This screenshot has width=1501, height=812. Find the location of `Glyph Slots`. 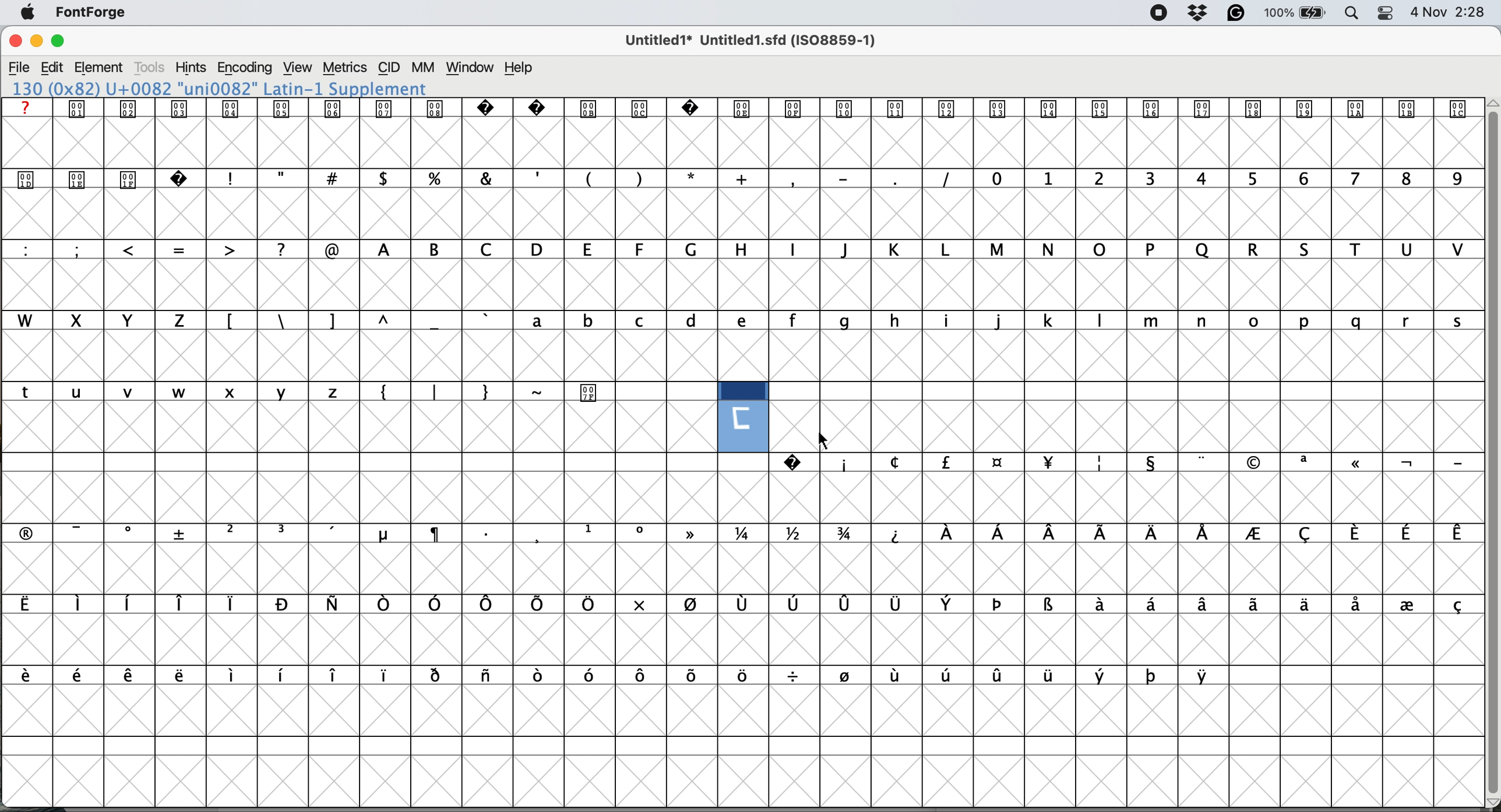

Glyph Slots is located at coordinates (732, 605).